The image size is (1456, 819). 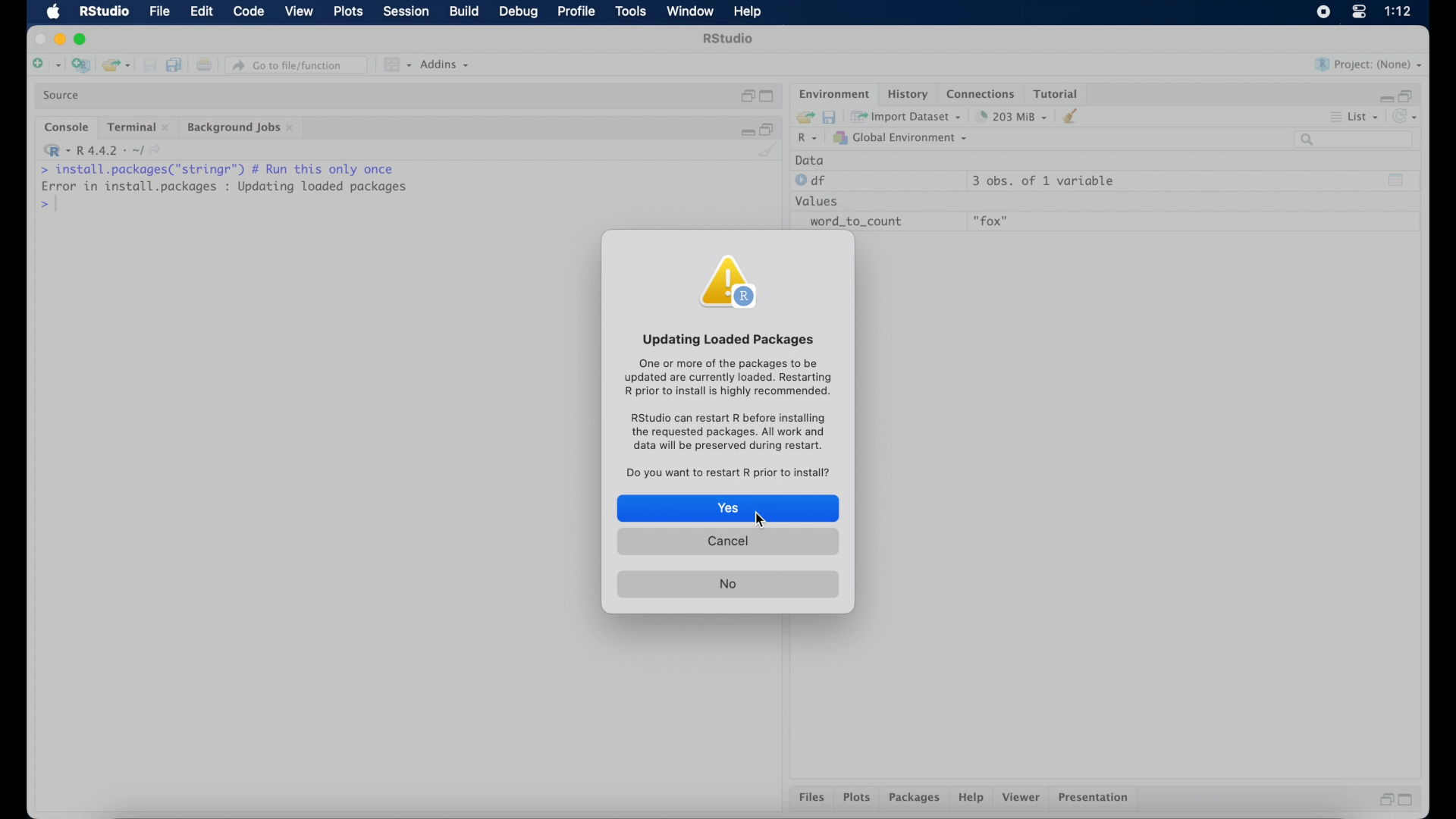 I want to click on maximize, so click(x=83, y=39).